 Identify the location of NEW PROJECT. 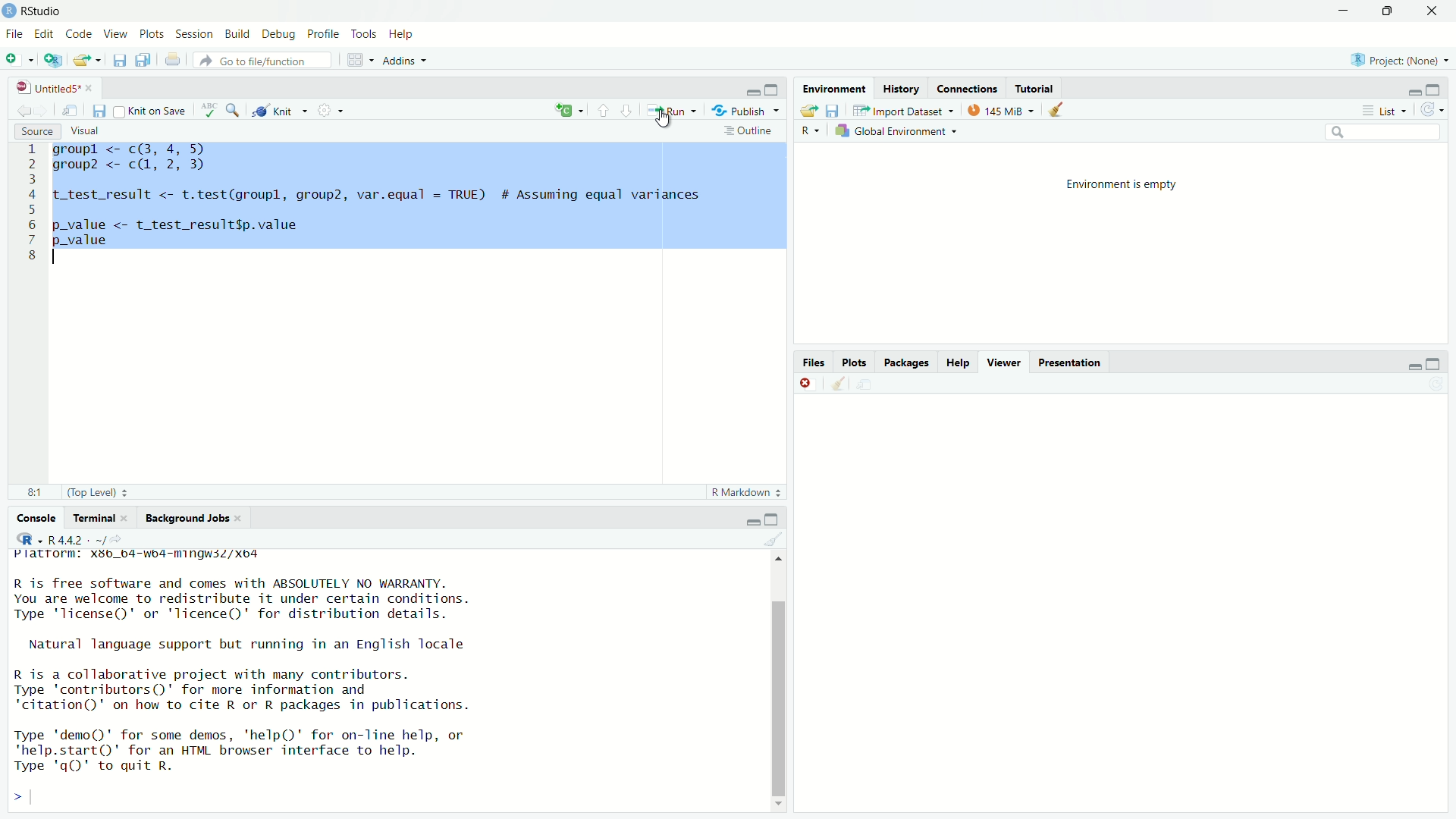
(54, 58).